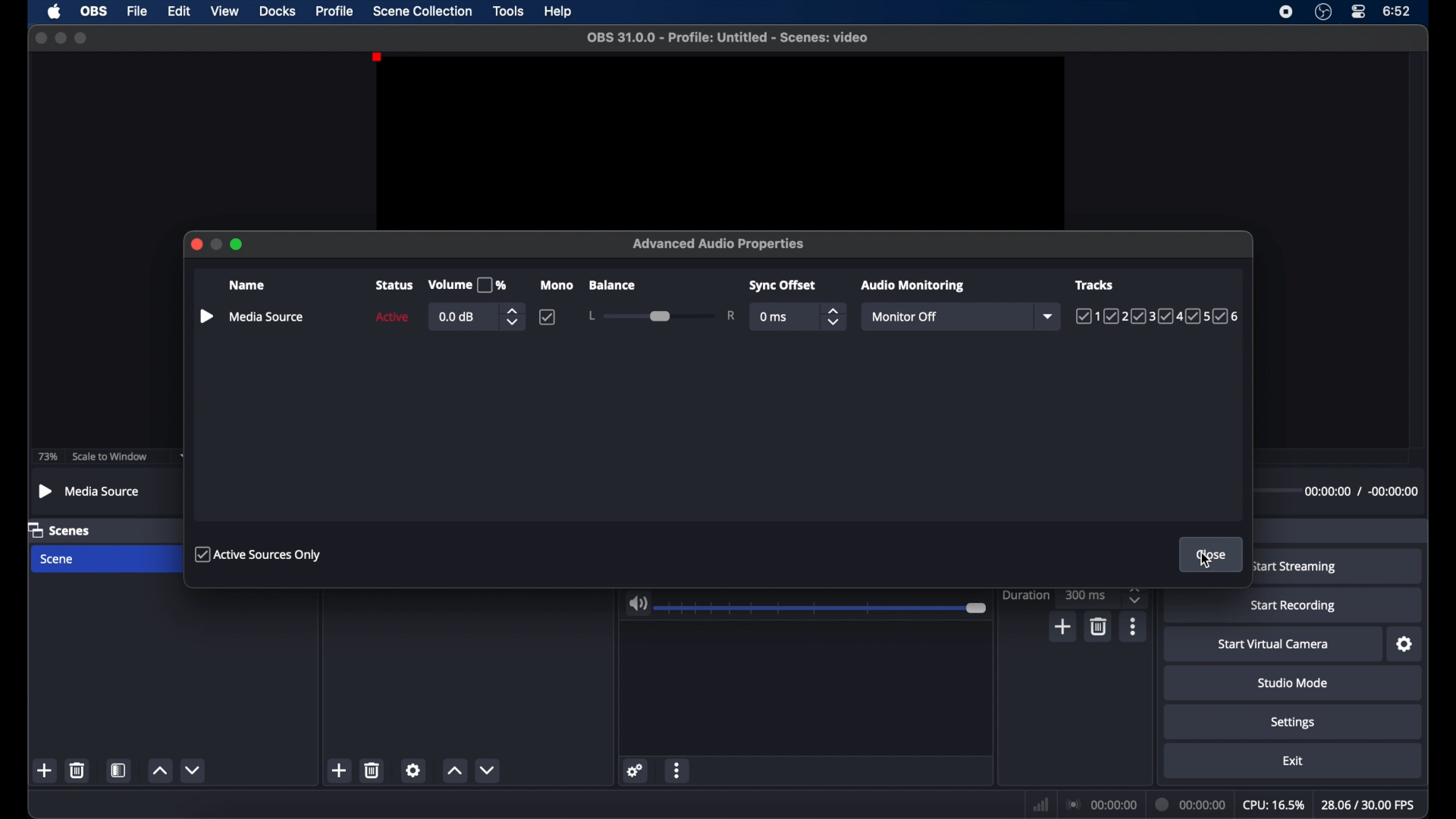 This screenshot has height=819, width=1456. I want to click on apple icon, so click(54, 11).